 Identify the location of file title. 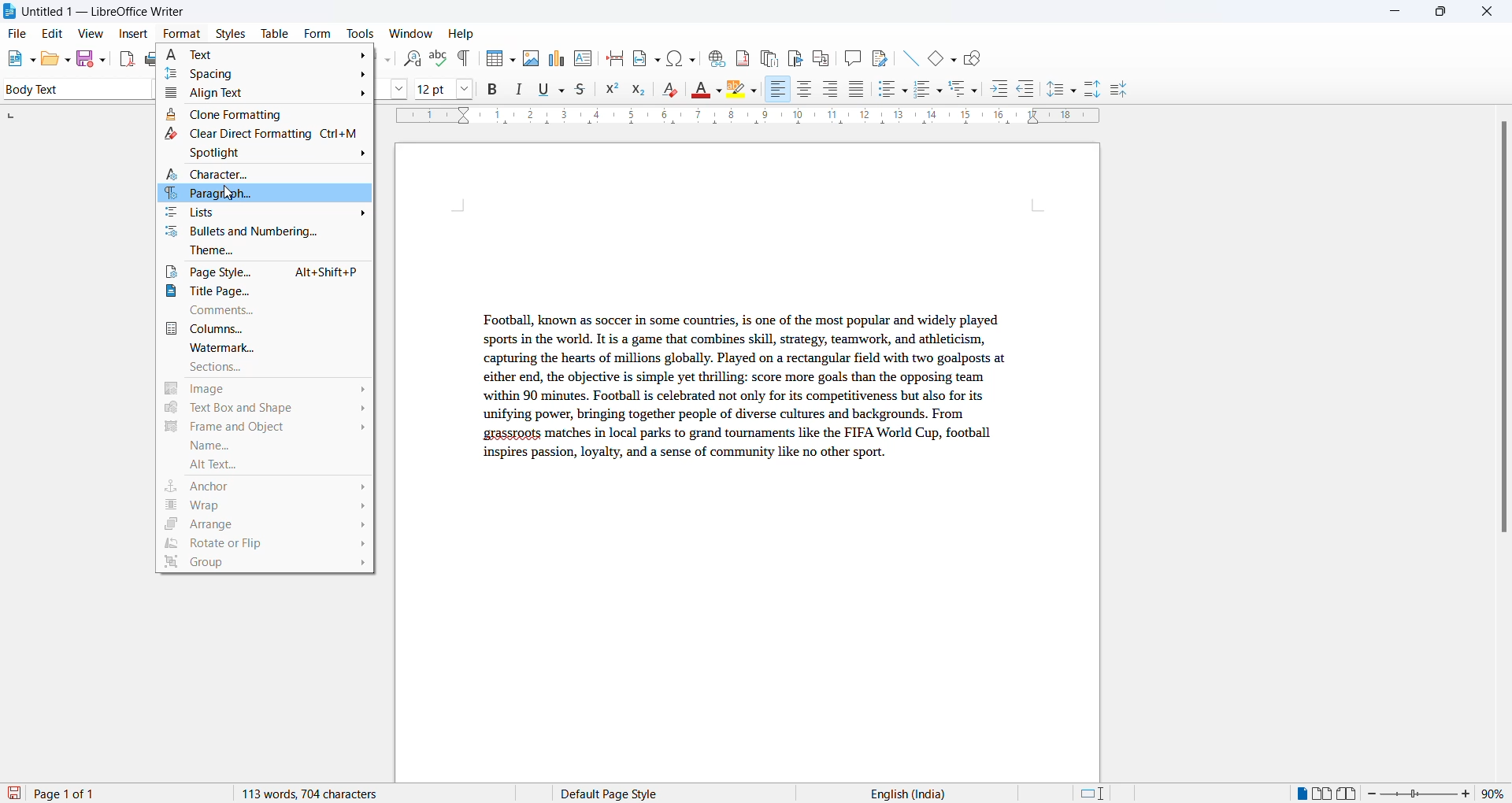
(95, 11).